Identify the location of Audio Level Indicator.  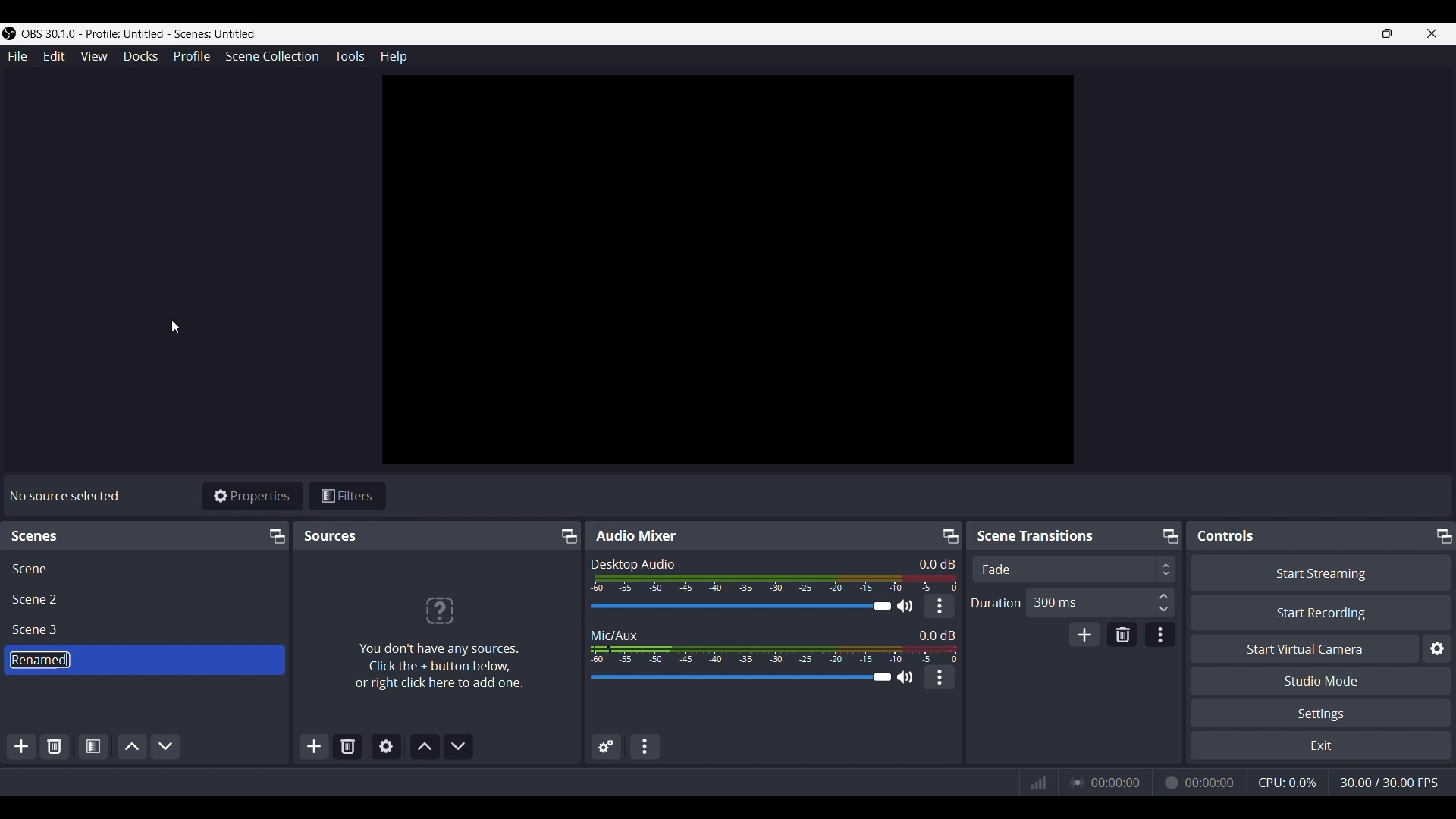
(932, 563).